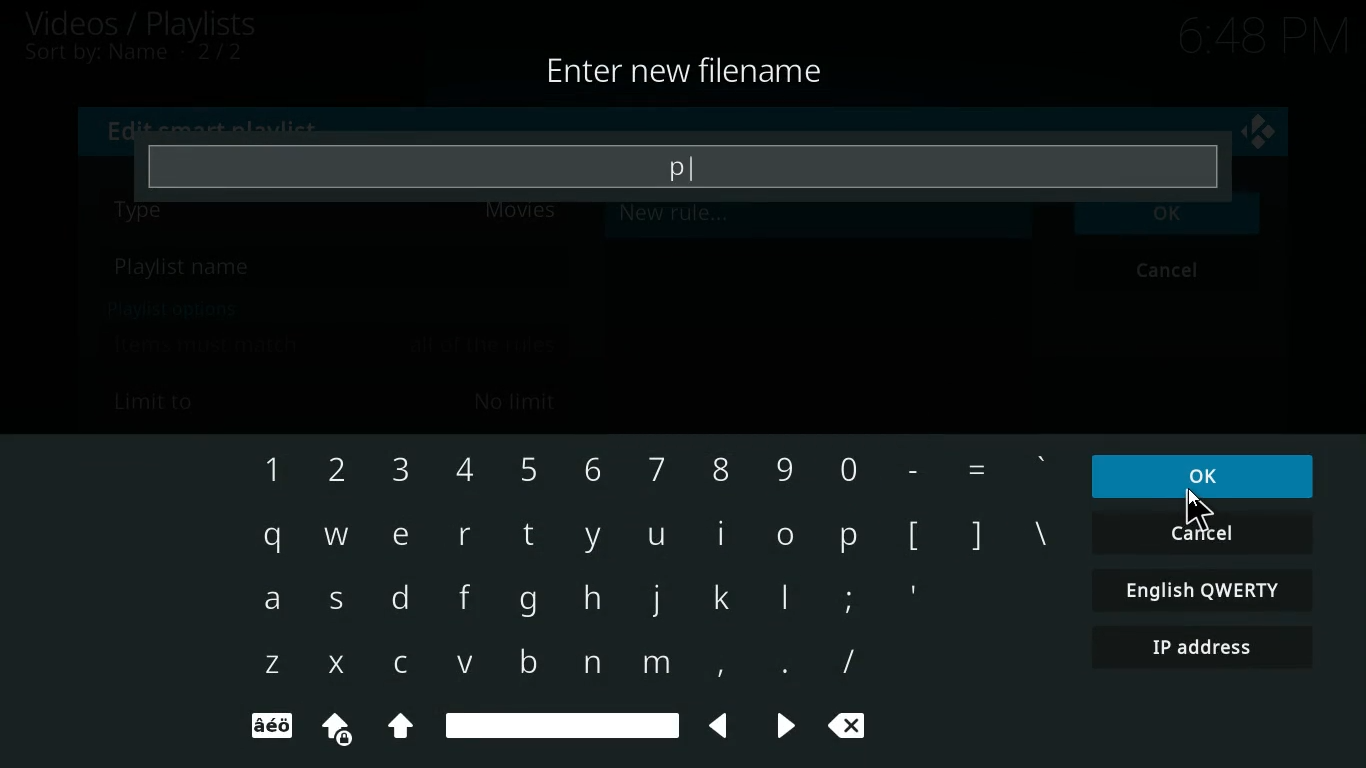  What do you see at coordinates (1042, 467) in the screenshot?
I see `'` at bounding box center [1042, 467].